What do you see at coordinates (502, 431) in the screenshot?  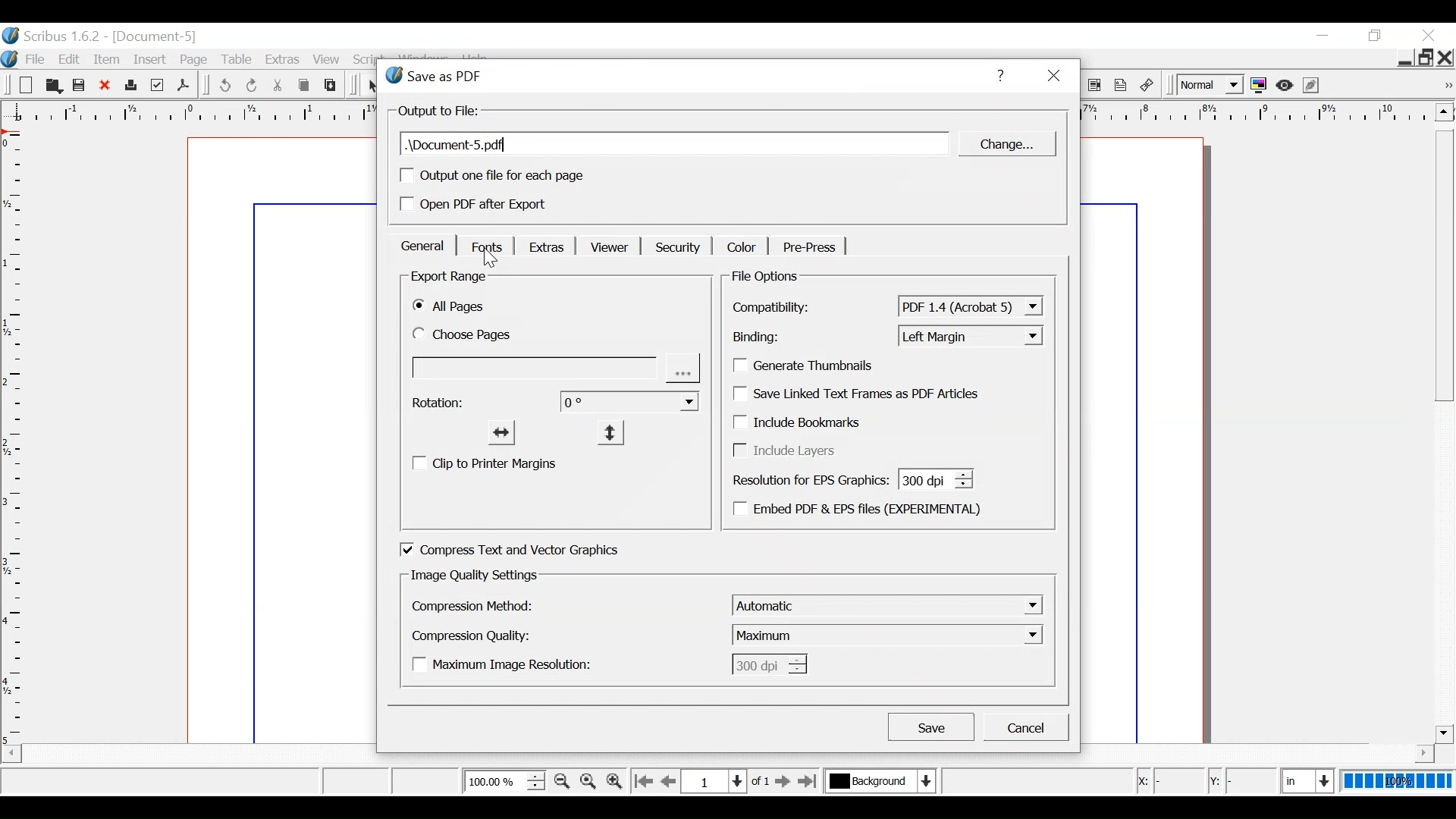 I see `Mirror pages horizontally` at bounding box center [502, 431].